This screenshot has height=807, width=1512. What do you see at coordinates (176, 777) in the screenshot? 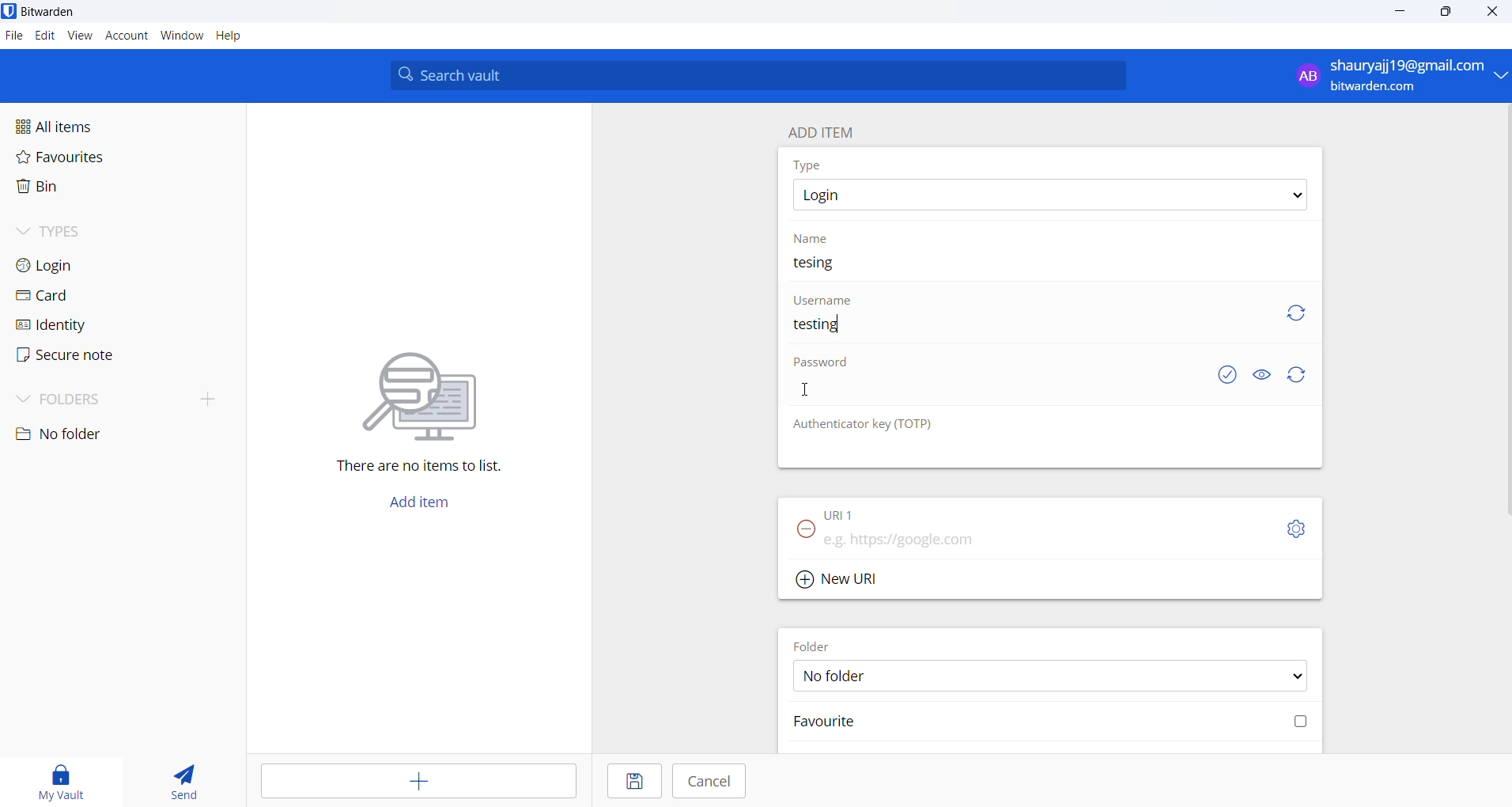
I see `send` at bounding box center [176, 777].